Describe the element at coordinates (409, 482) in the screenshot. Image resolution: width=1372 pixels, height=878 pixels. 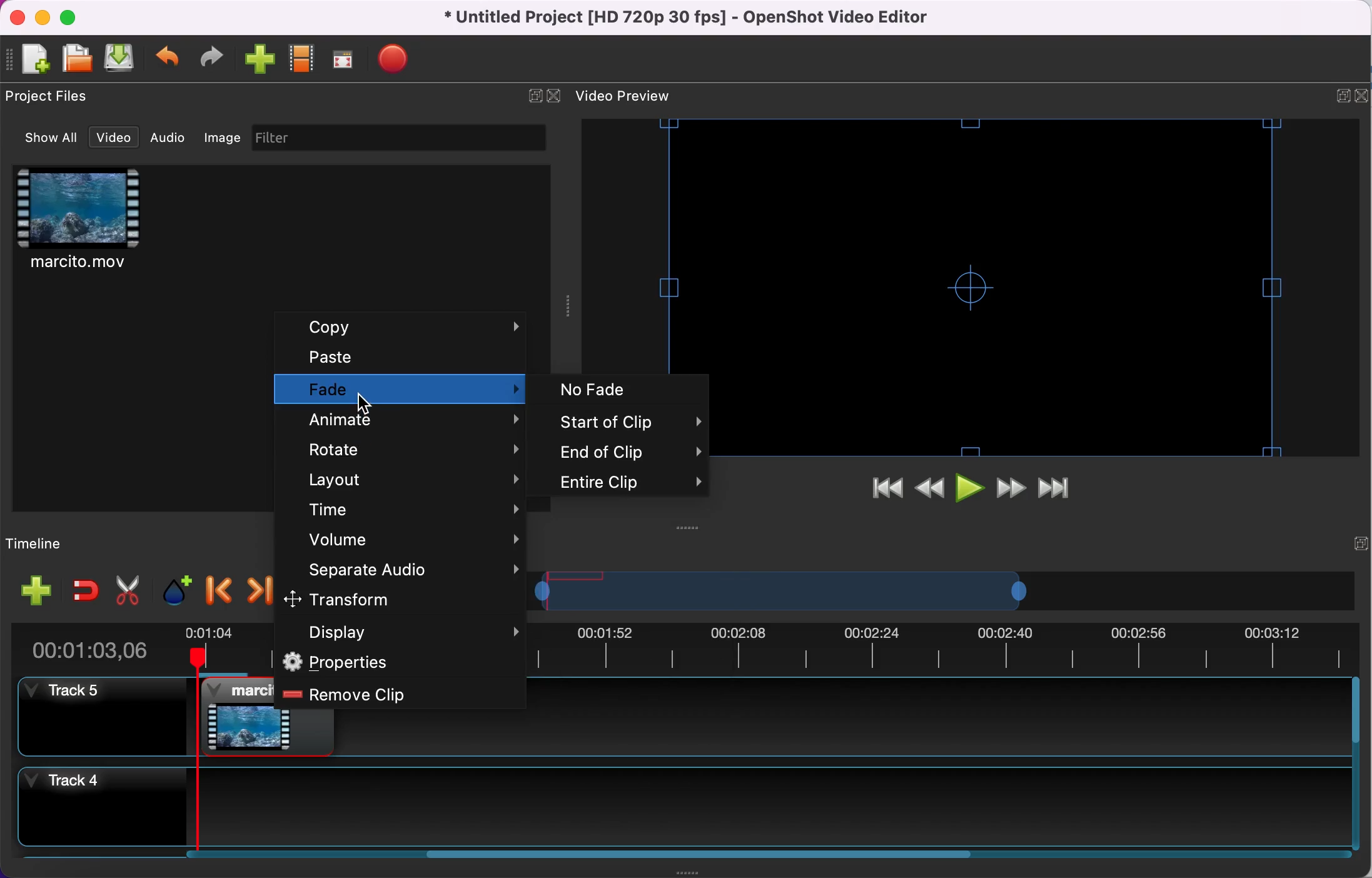
I see `layout` at that location.